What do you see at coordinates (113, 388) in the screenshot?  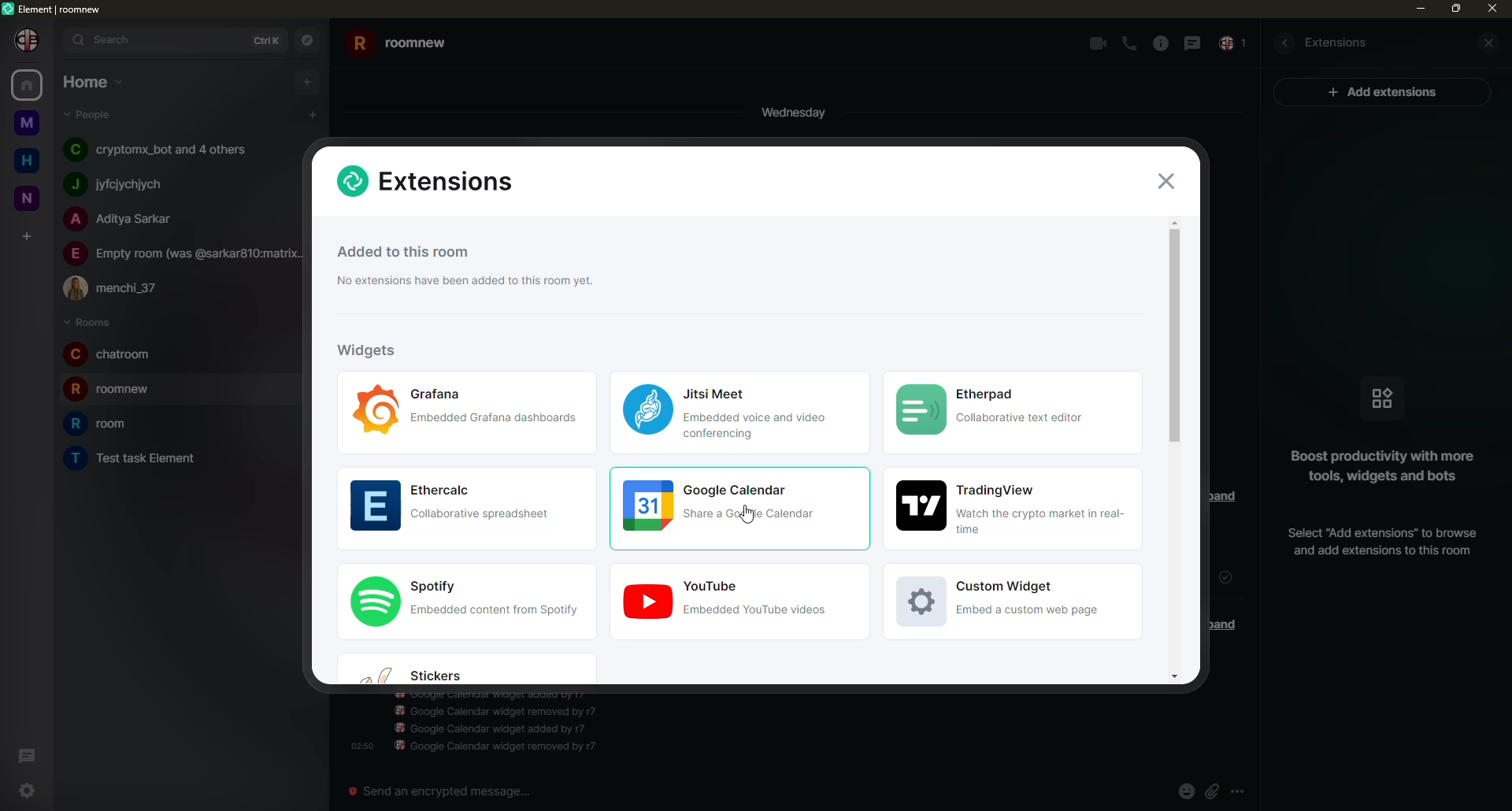 I see `room` at bounding box center [113, 388].